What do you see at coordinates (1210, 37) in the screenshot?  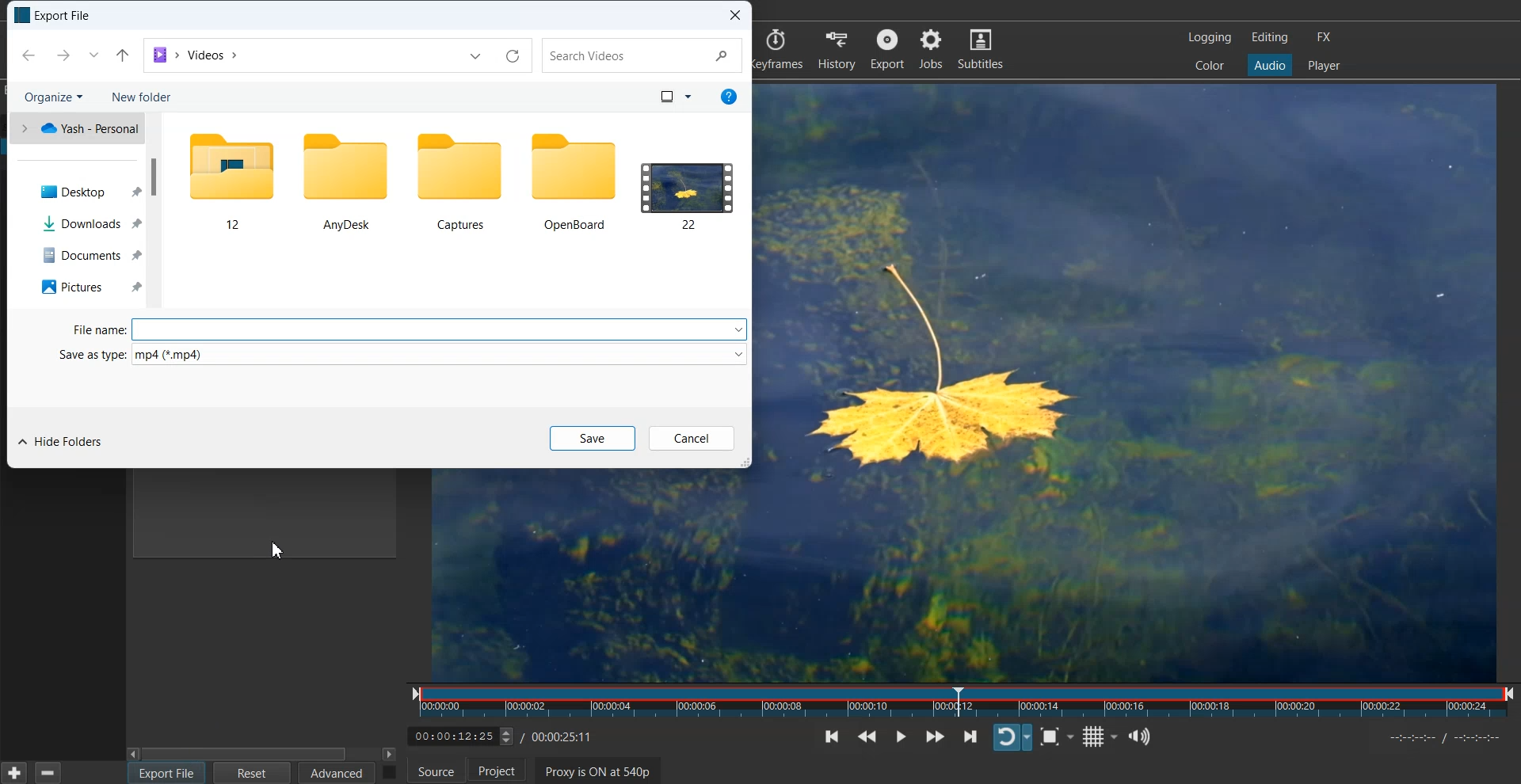 I see `Logging` at bounding box center [1210, 37].